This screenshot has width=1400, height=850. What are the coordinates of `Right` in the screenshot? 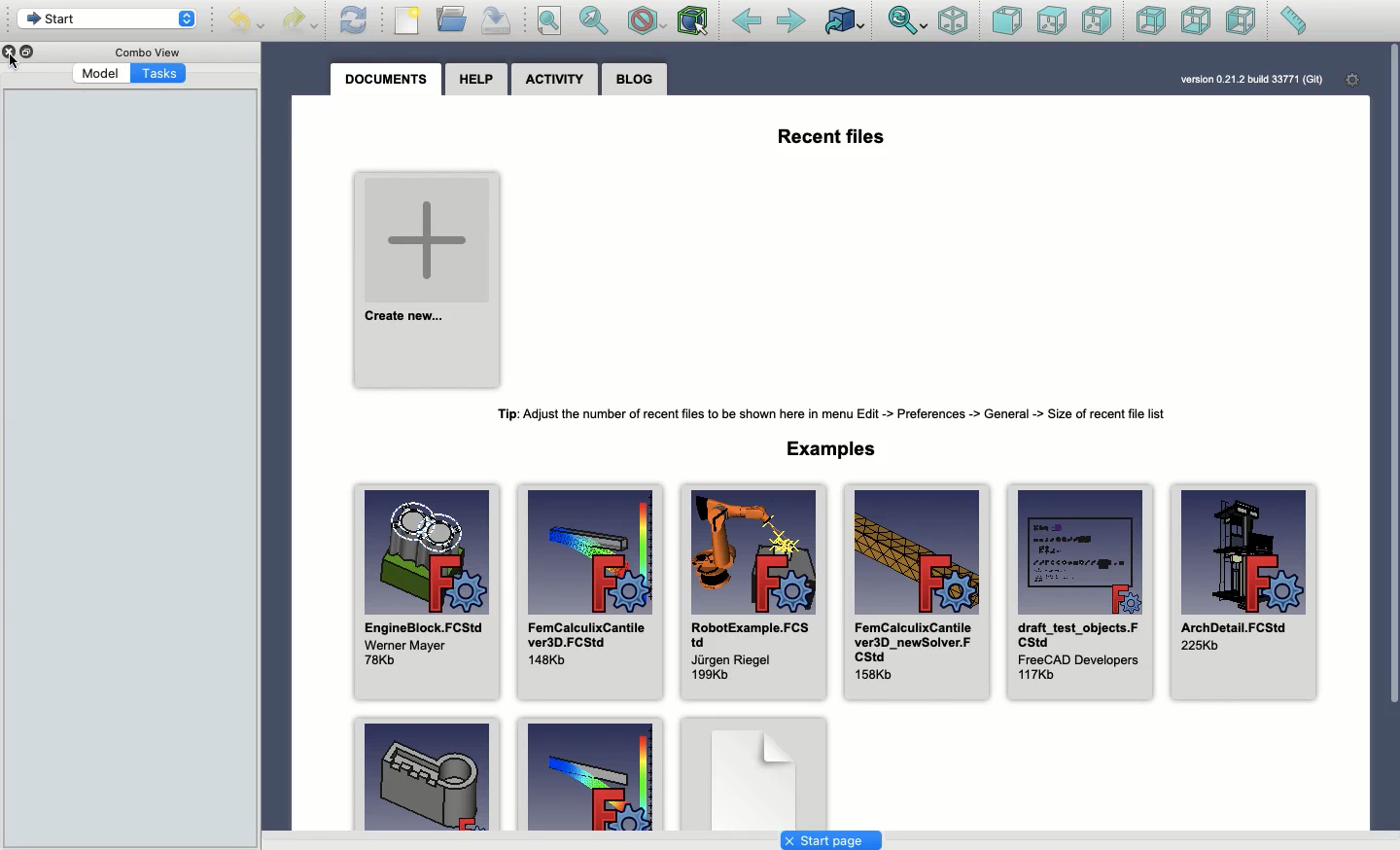 It's located at (1098, 20).